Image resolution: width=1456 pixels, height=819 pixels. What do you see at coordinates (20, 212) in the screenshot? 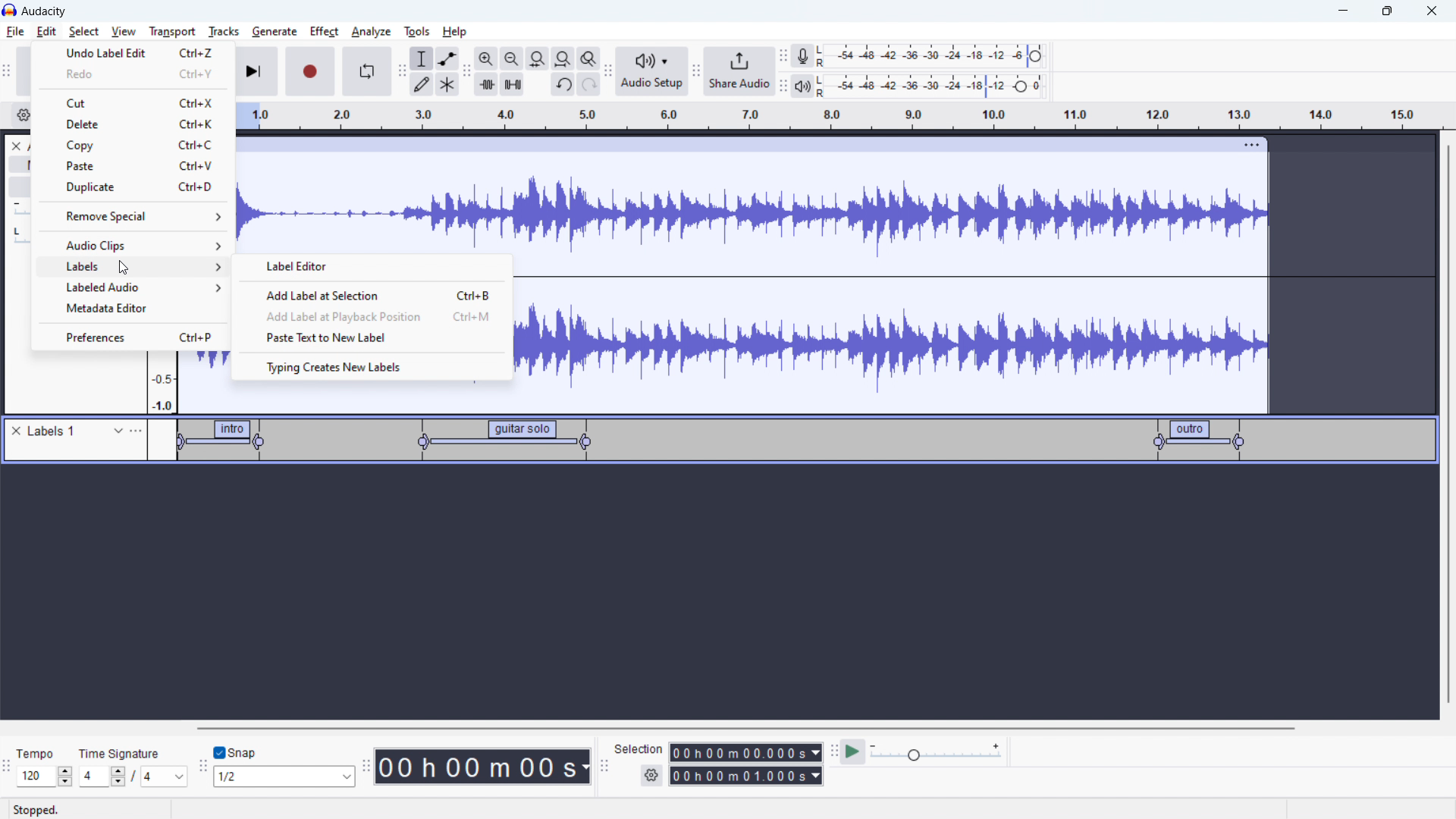
I see `gain` at bounding box center [20, 212].